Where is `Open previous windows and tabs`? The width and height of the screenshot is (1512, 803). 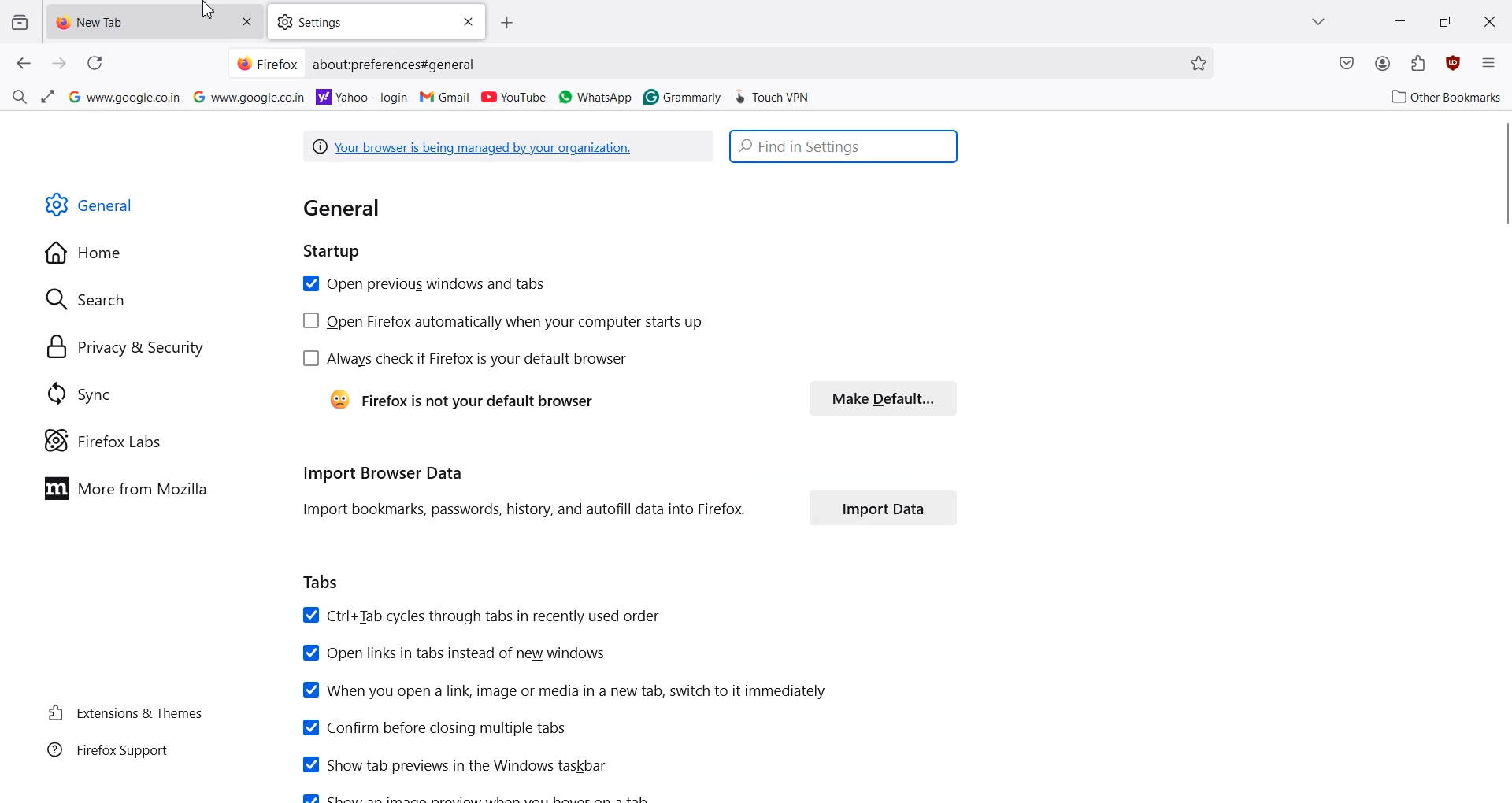 Open previous windows and tabs is located at coordinates (422, 284).